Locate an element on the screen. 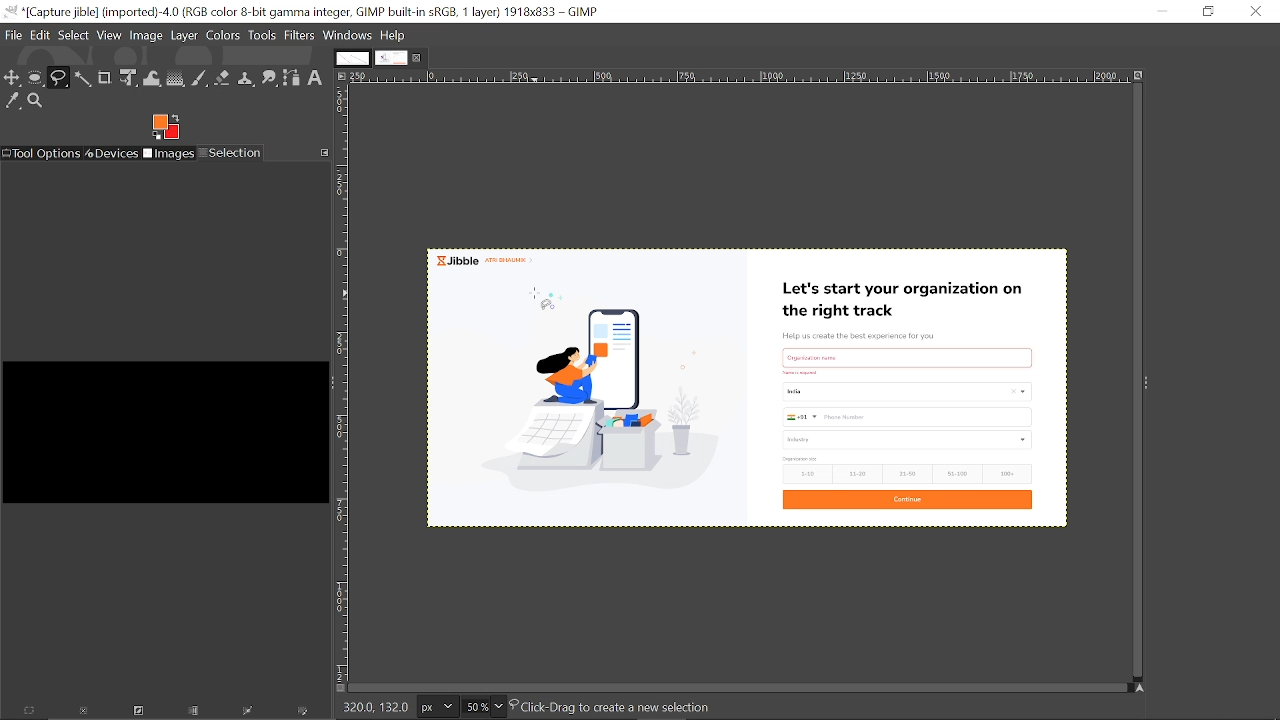 Image resolution: width=1280 pixels, height=720 pixels. Wrap text tool is located at coordinates (153, 78).